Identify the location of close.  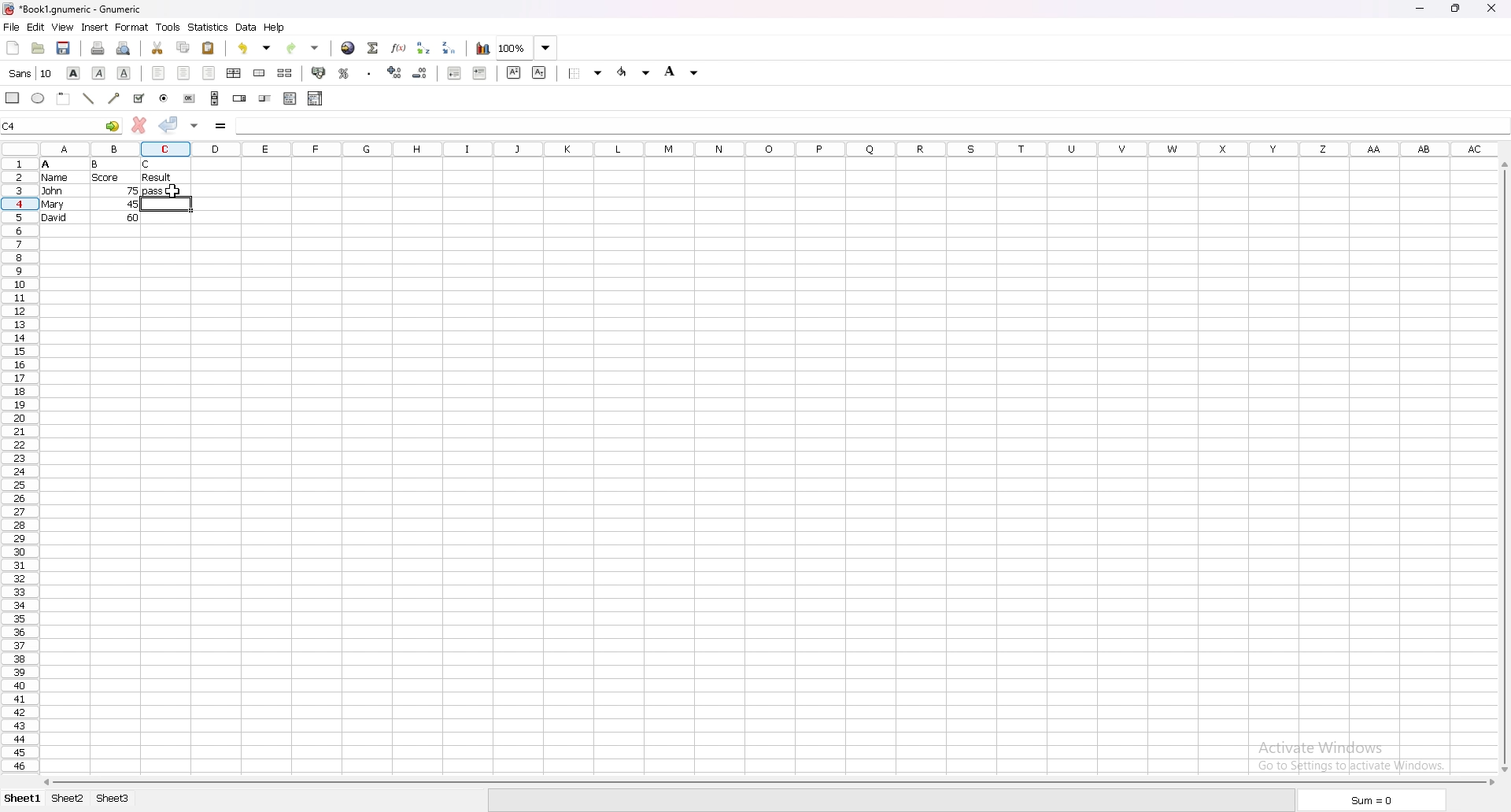
(1495, 8).